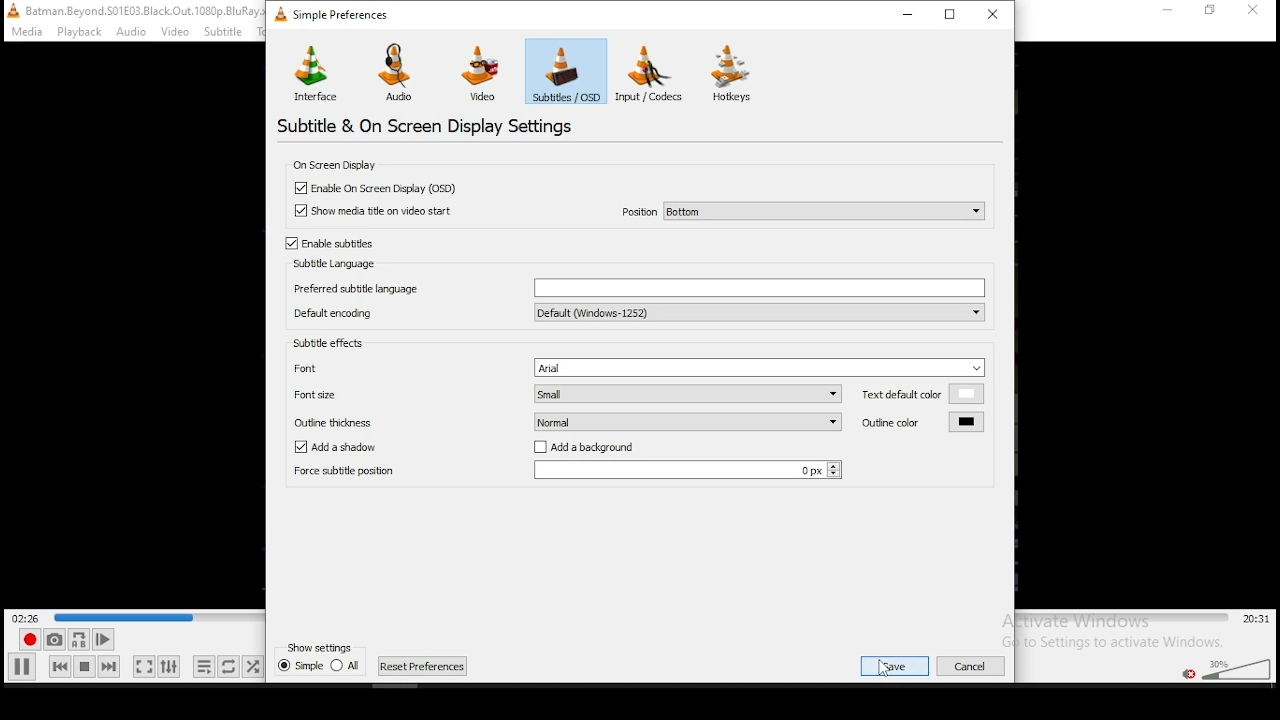  Describe the element at coordinates (336, 447) in the screenshot. I see `checkbox: add a shadow` at that location.